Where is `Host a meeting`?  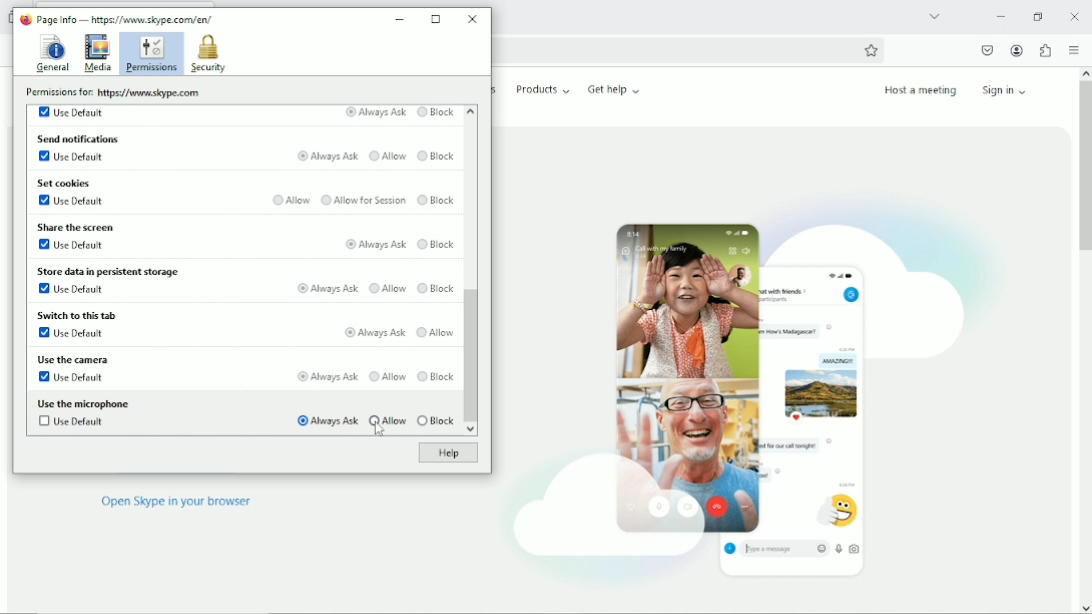
Host a meeting is located at coordinates (919, 90).